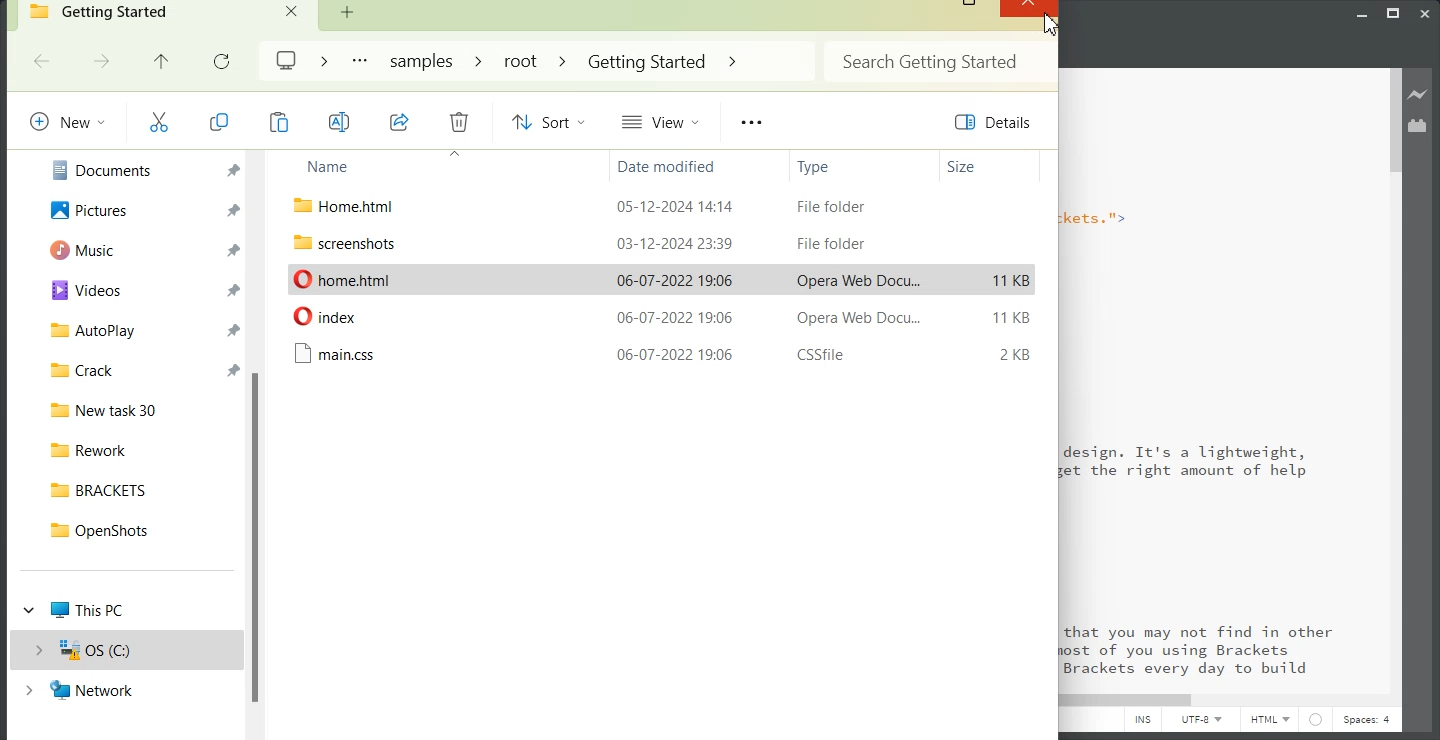 This screenshot has width=1440, height=740. What do you see at coordinates (127, 649) in the screenshot?
I see `OS(C:)` at bounding box center [127, 649].